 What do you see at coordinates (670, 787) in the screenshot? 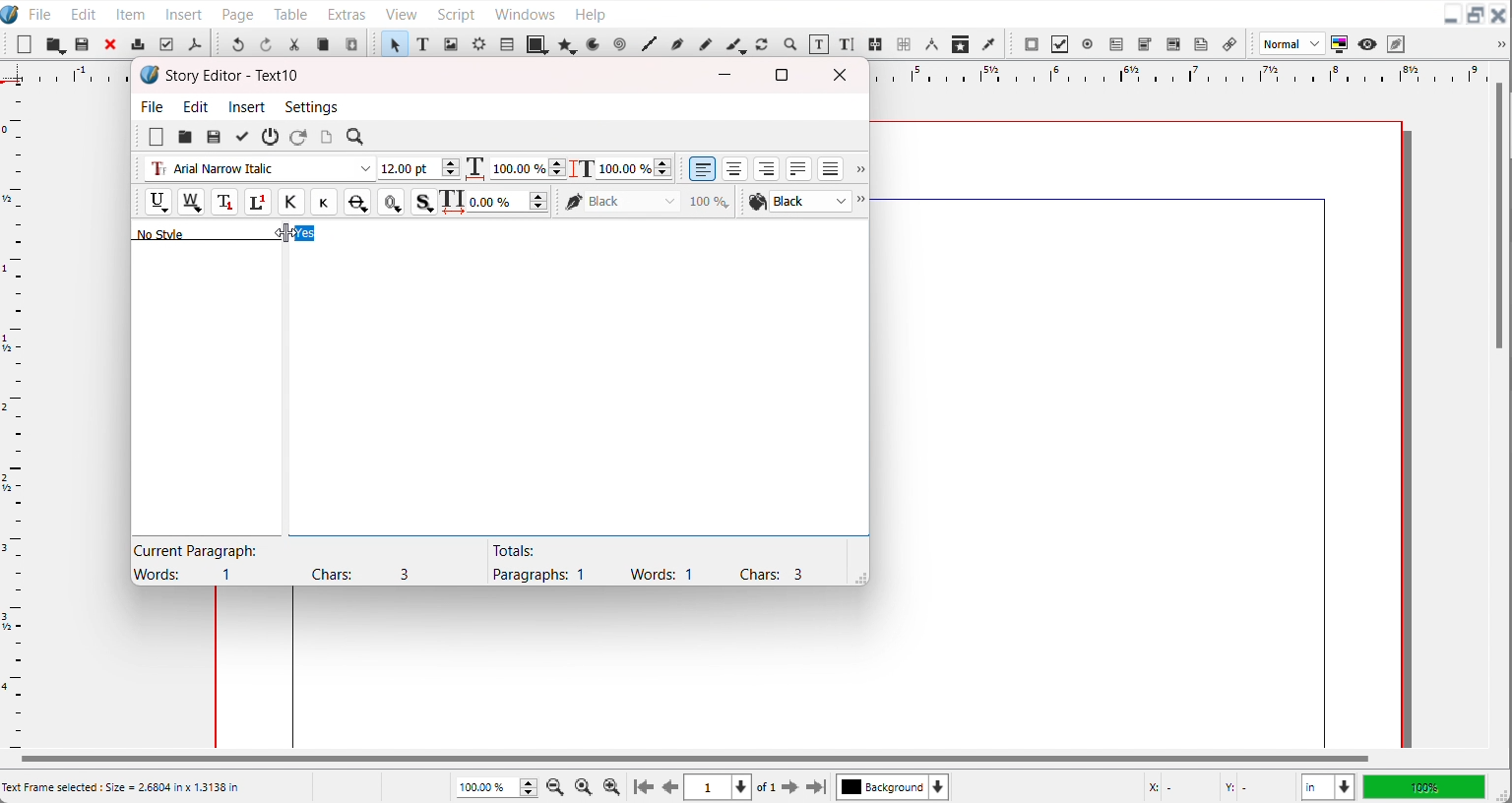
I see `Go to previous page` at bounding box center [670, 787].